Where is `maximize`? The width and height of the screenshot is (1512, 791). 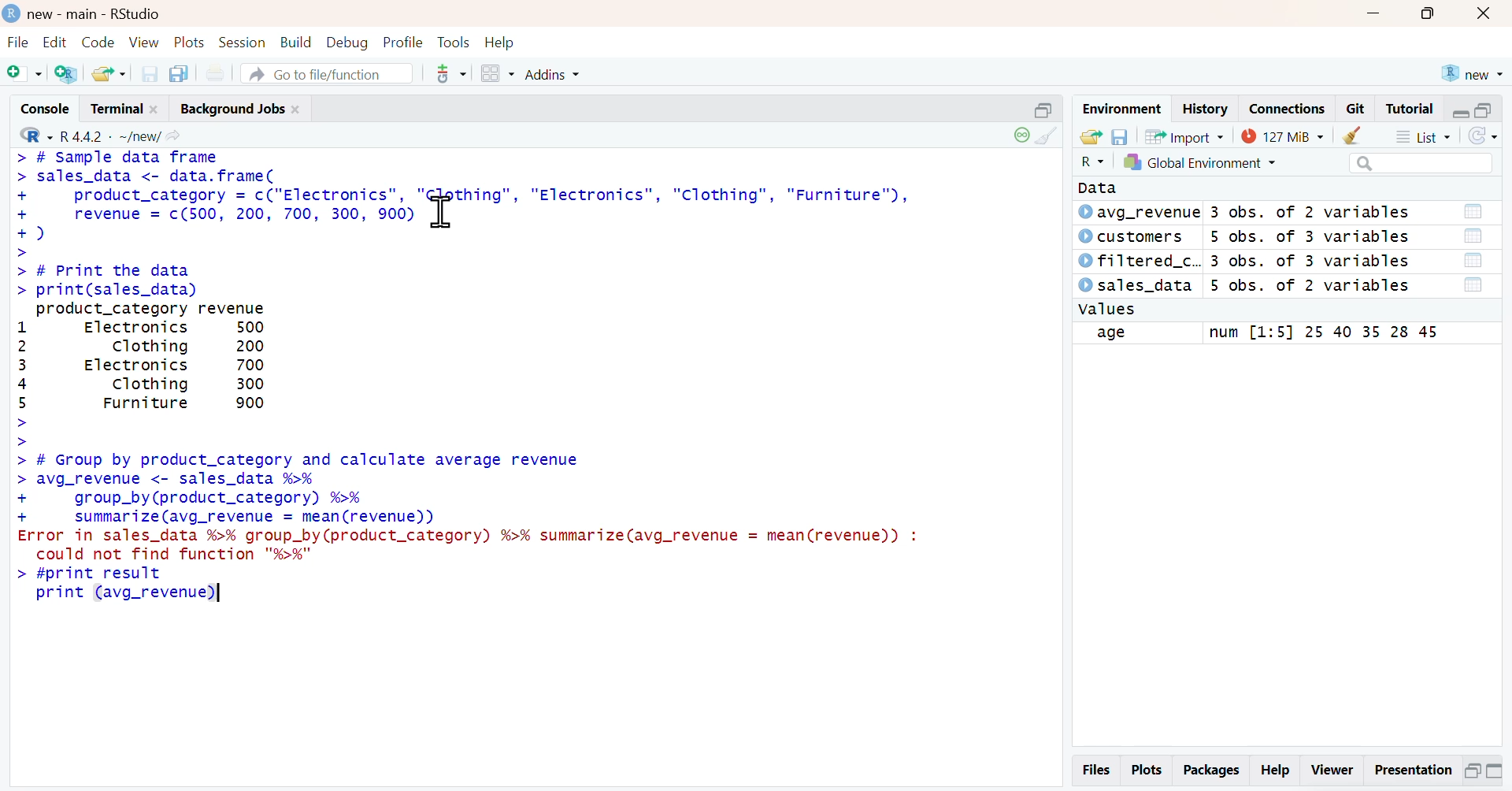 maximize is located at coordinates (1425, 14).